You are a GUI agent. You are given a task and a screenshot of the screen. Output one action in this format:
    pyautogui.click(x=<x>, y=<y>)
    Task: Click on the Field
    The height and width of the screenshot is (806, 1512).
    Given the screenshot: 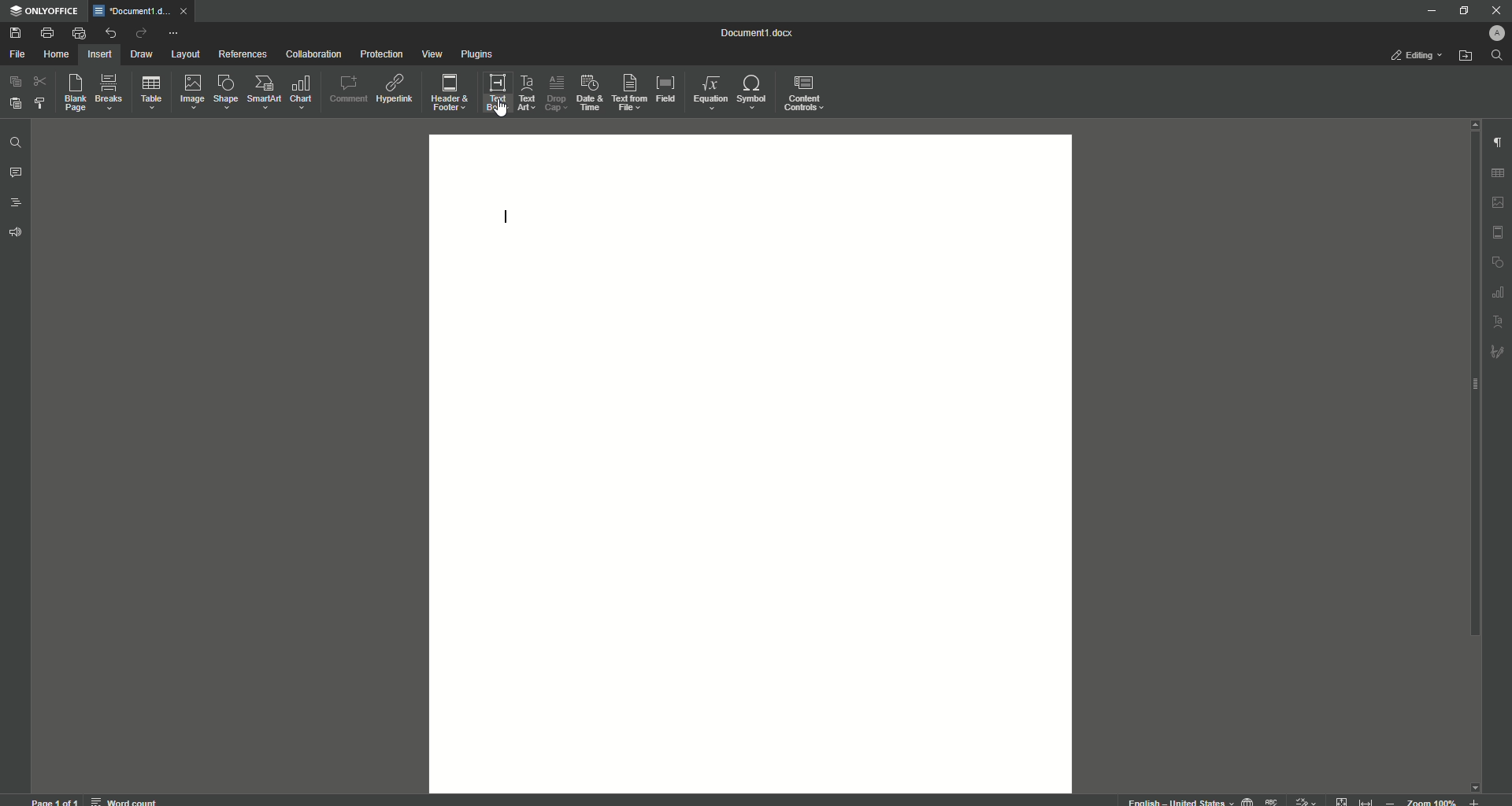 What is the action you would take?
    pyautogui.click(x=665, y=87)
    